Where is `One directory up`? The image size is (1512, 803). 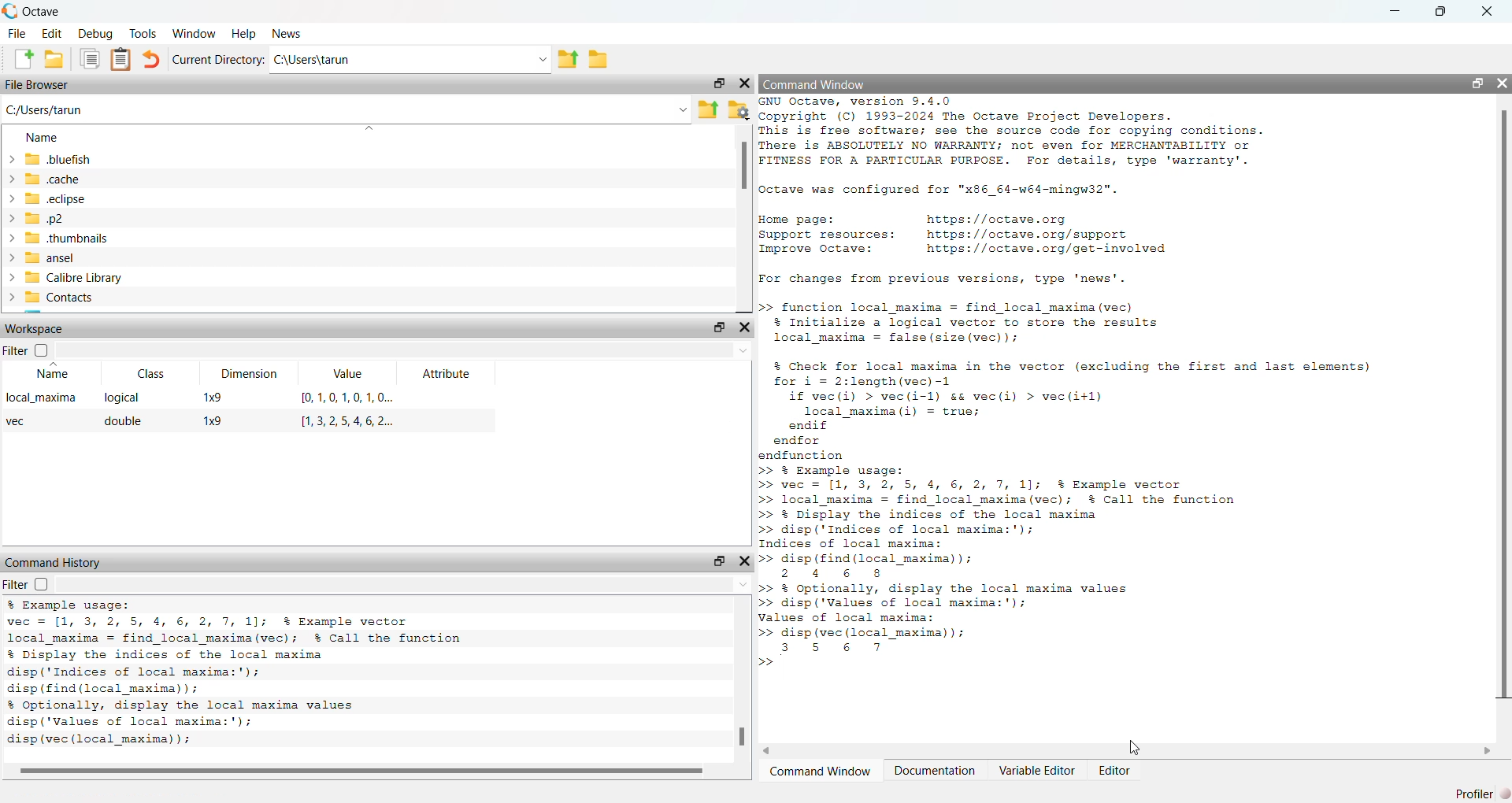 One directory up is located at coordinates (707, 109).